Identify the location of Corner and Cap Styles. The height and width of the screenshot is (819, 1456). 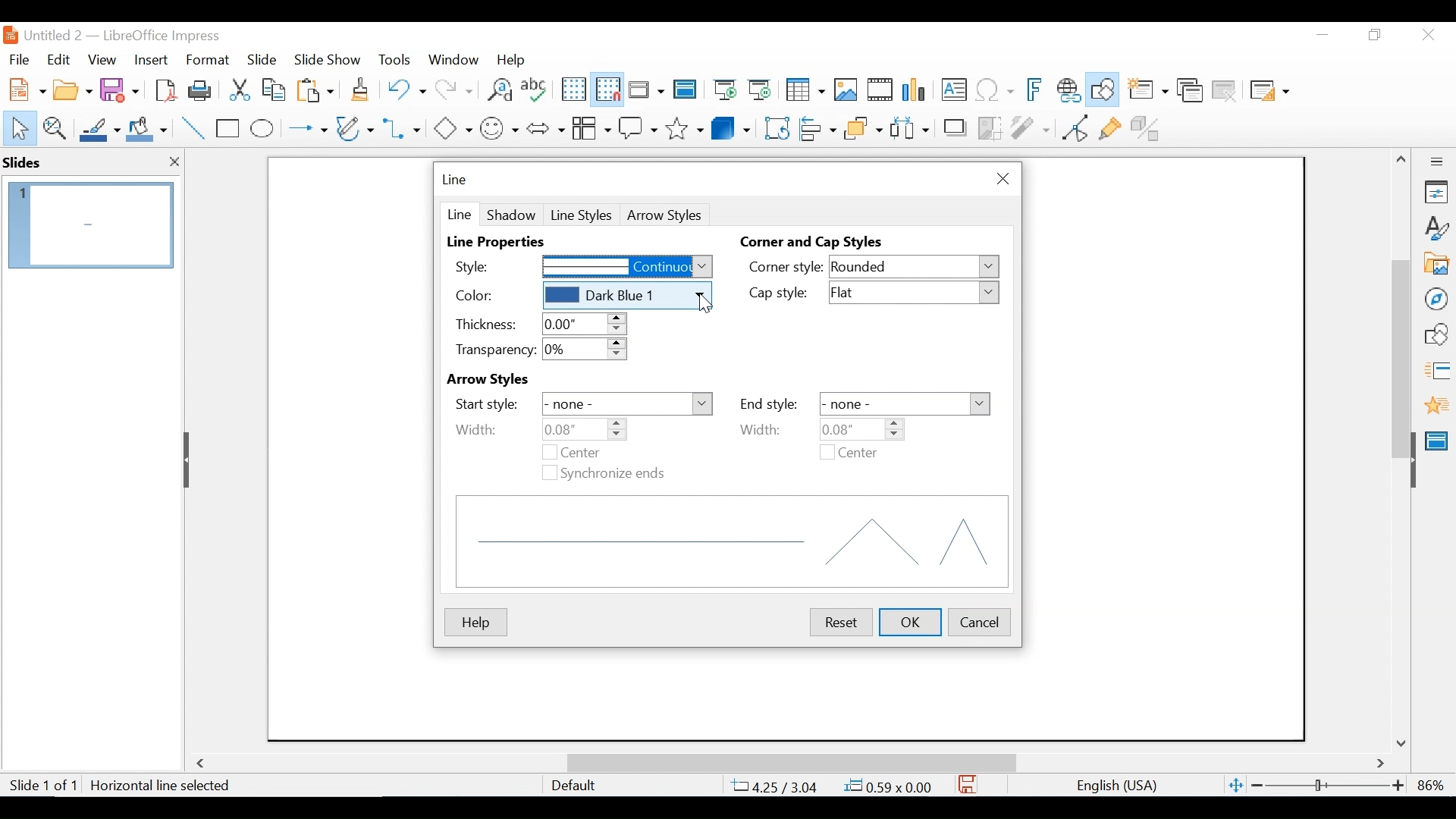
(815, 243).